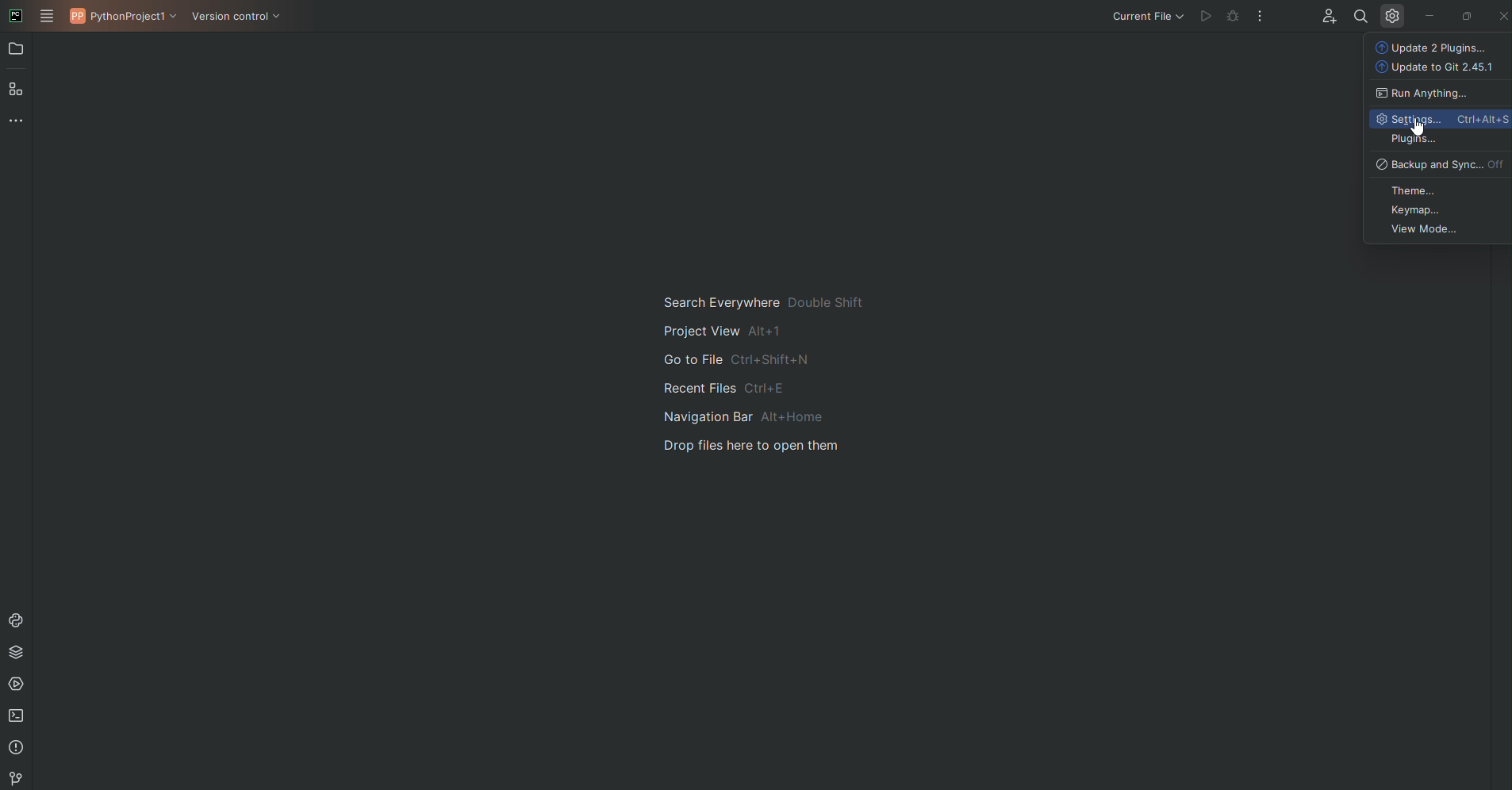  I want to click on project view, so click(720, 330).